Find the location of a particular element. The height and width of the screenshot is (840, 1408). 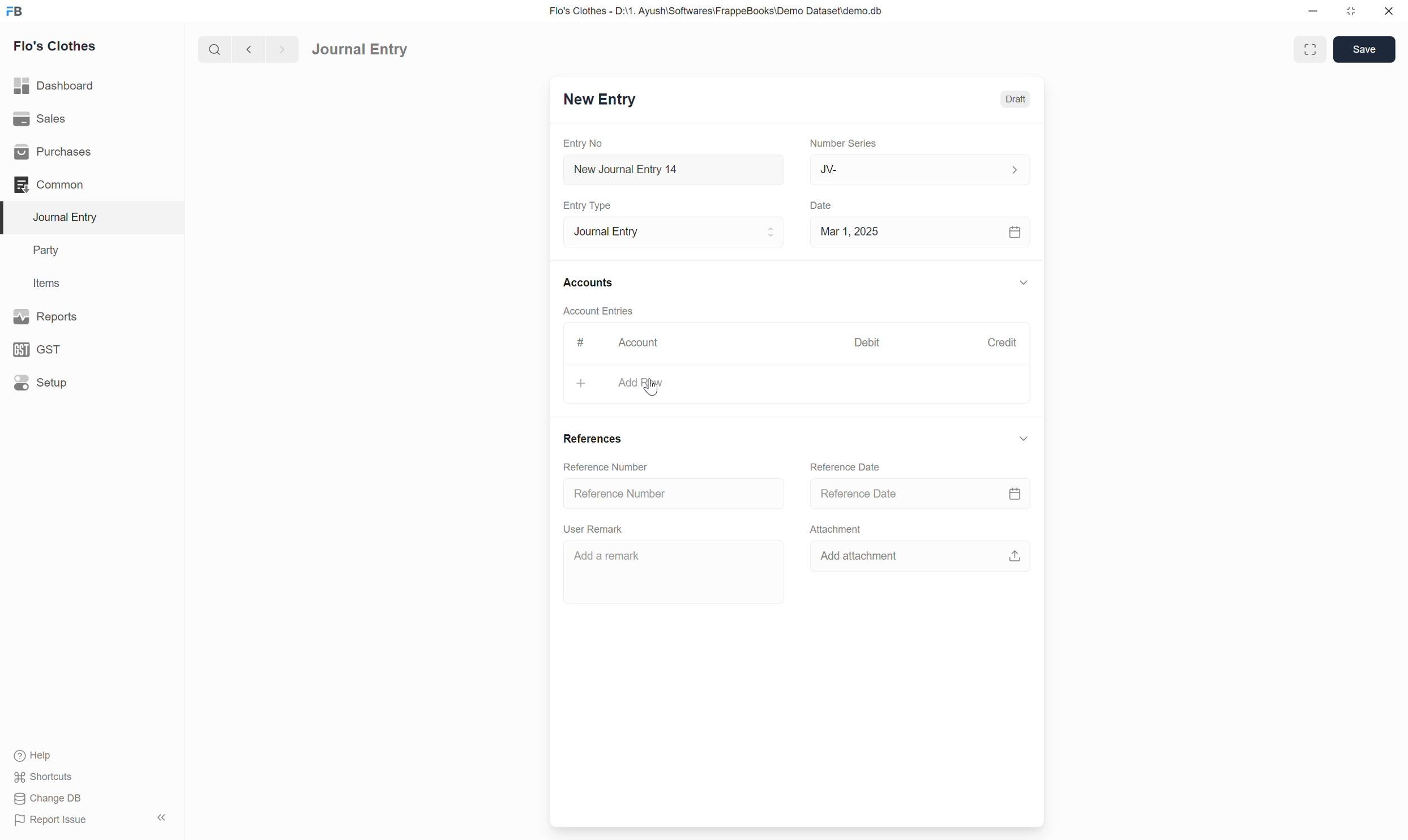

Journal Entry is located at coordinates (674, 231).